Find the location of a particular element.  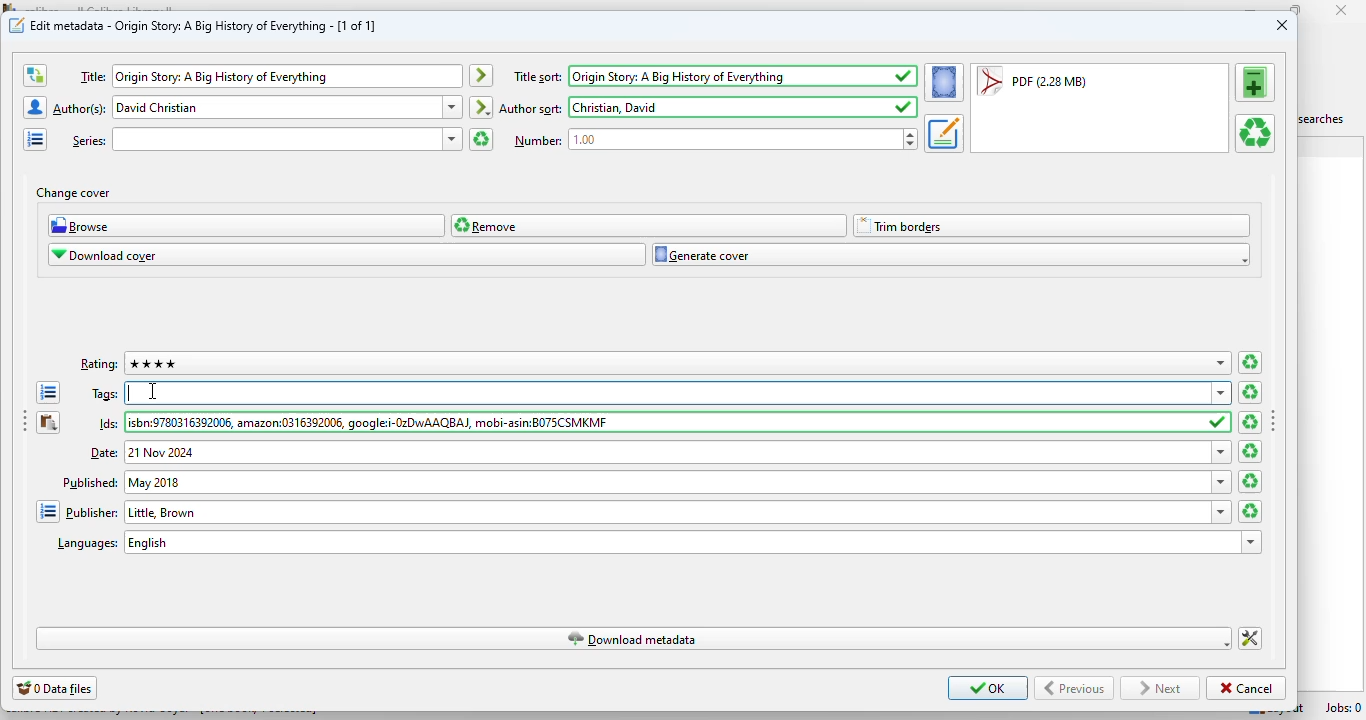

text is located at coordinates (537, 140).